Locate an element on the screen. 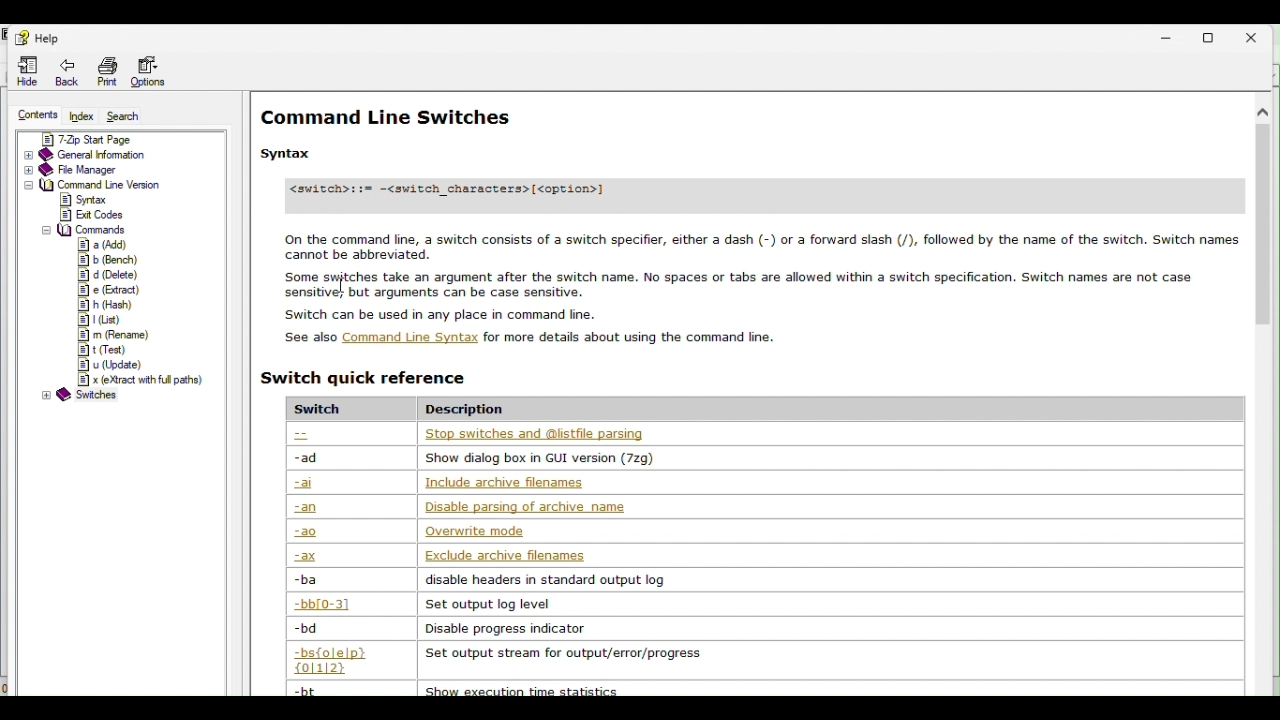 Image resolution: width=1280 pixels, height=720 pixels. -ax is located at coordinates (309, 554).